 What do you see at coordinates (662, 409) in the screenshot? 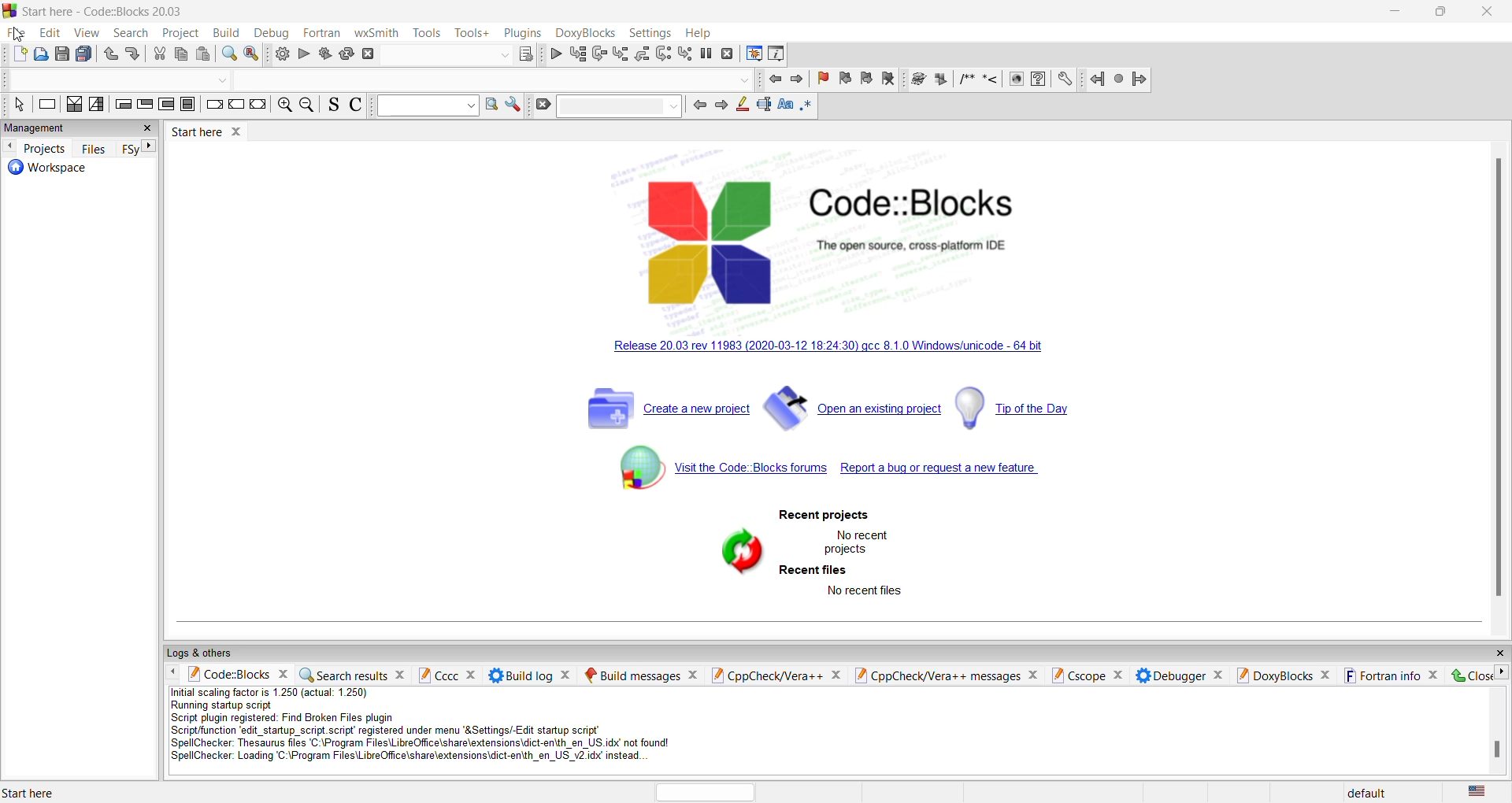
I see `create a new project` at bounding box center [662, 409].